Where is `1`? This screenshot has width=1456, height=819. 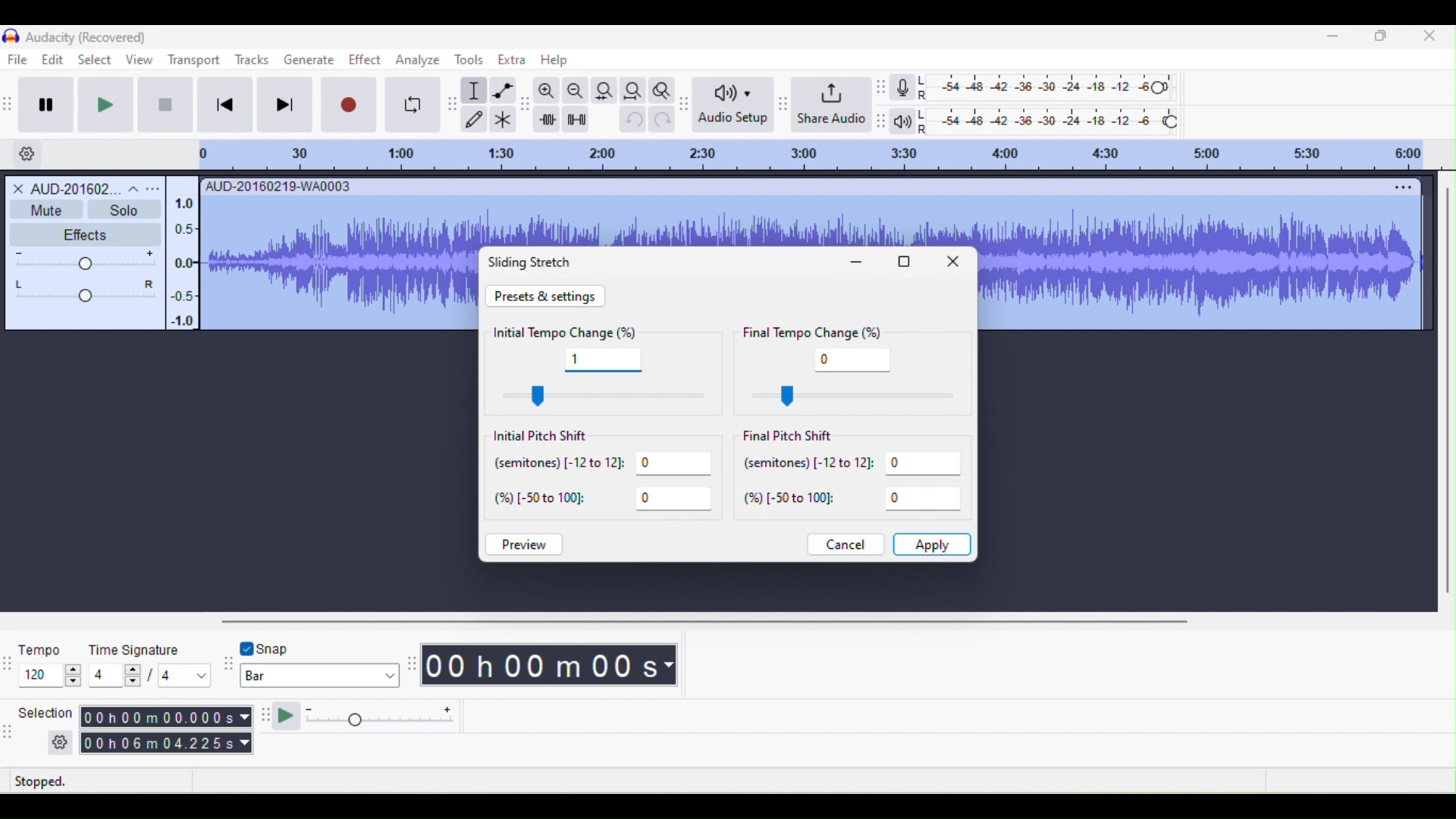 1 is located at coordinates (601, 360).